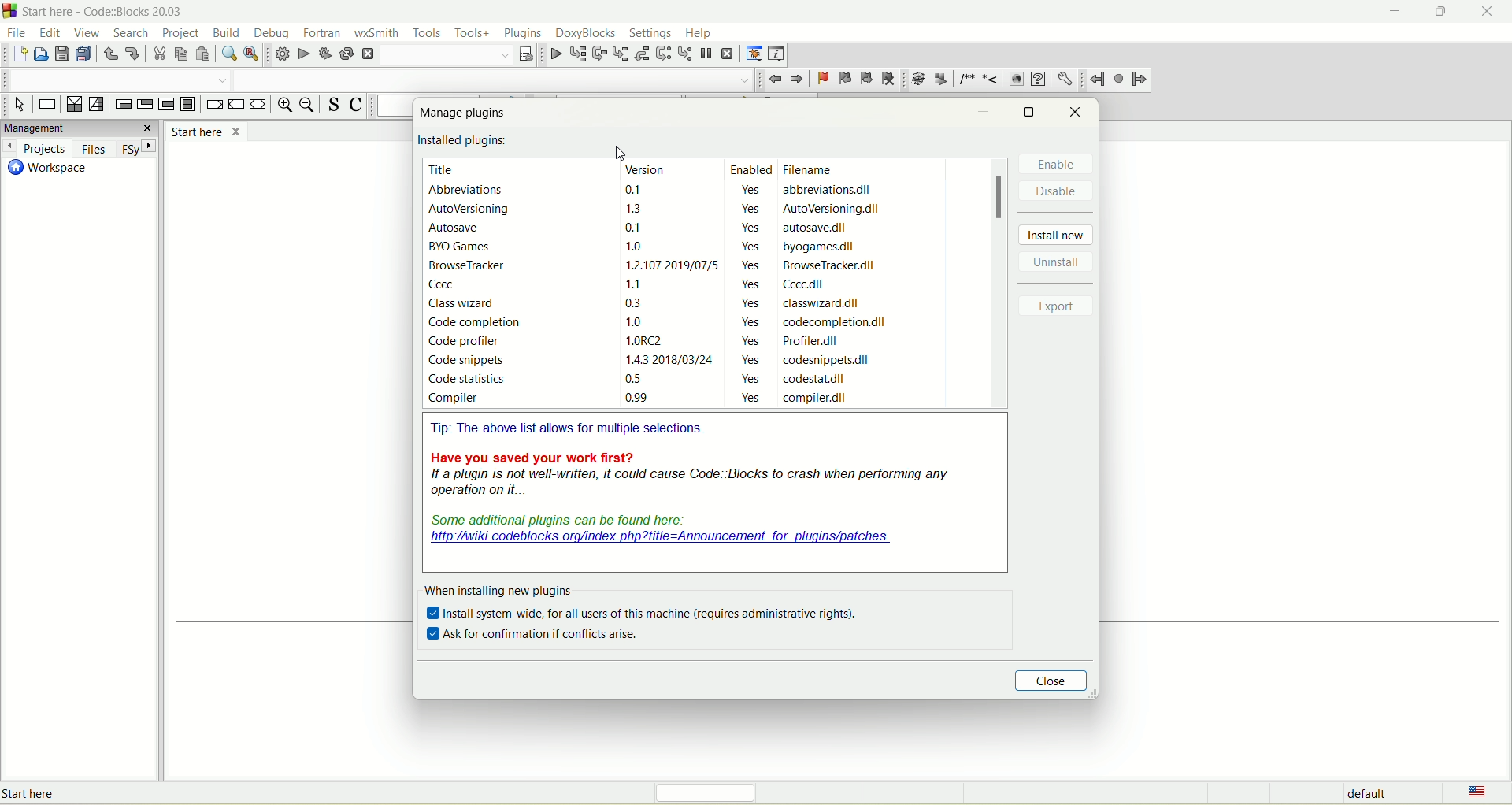 The image size is (1512, 805). What do you see at coordinates (650, 32) in the screenshot?
I see `settings` at bounding box center [650, 32].